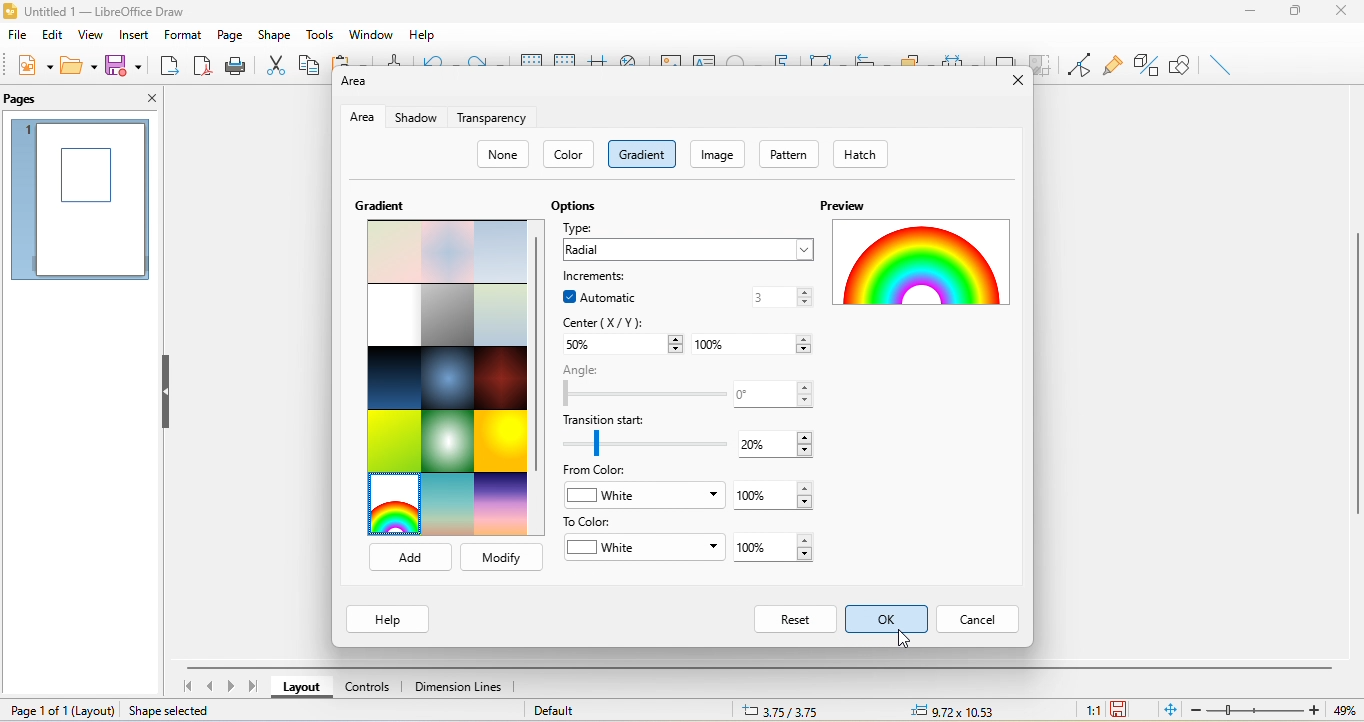 Image resolution: width=1364 pixels, height=722 pixels. What do you see at coordinates (590, 227) in the screenshot?
I see `type` at bounding box center [590, 227].